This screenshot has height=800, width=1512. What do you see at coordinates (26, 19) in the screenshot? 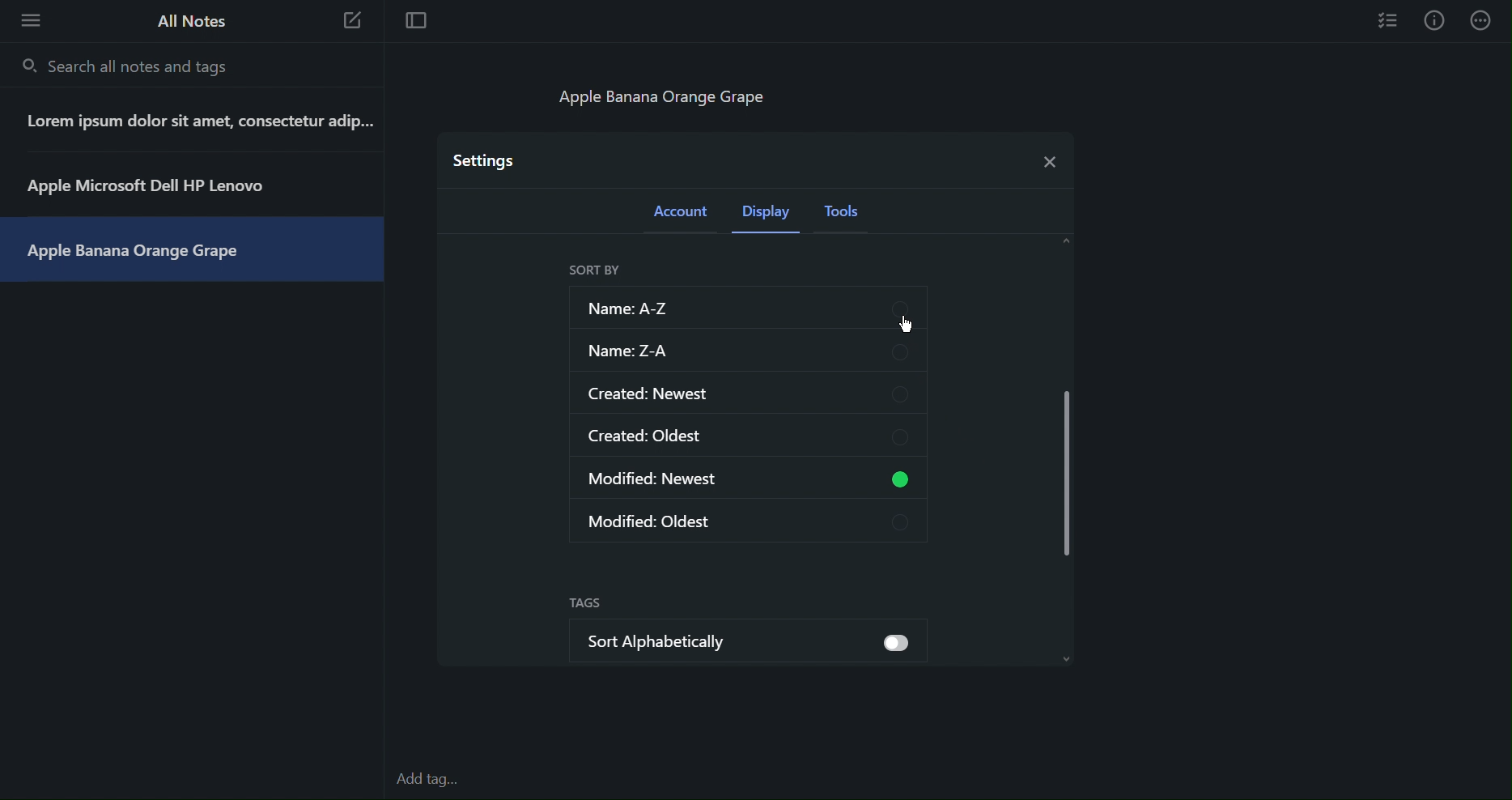
I see `More Options` at bounding box center [26, 19].